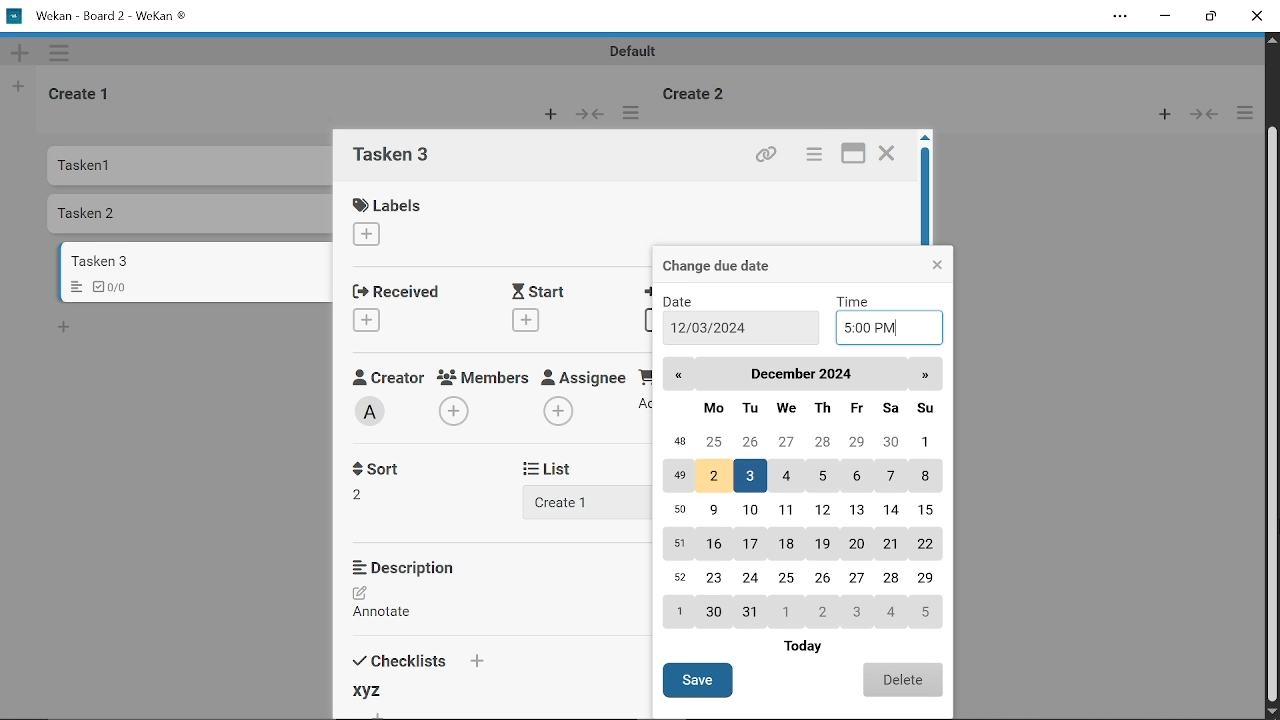 This screenshot has width=1280, height=720. I want to click on Card actions, so click(812, 156).